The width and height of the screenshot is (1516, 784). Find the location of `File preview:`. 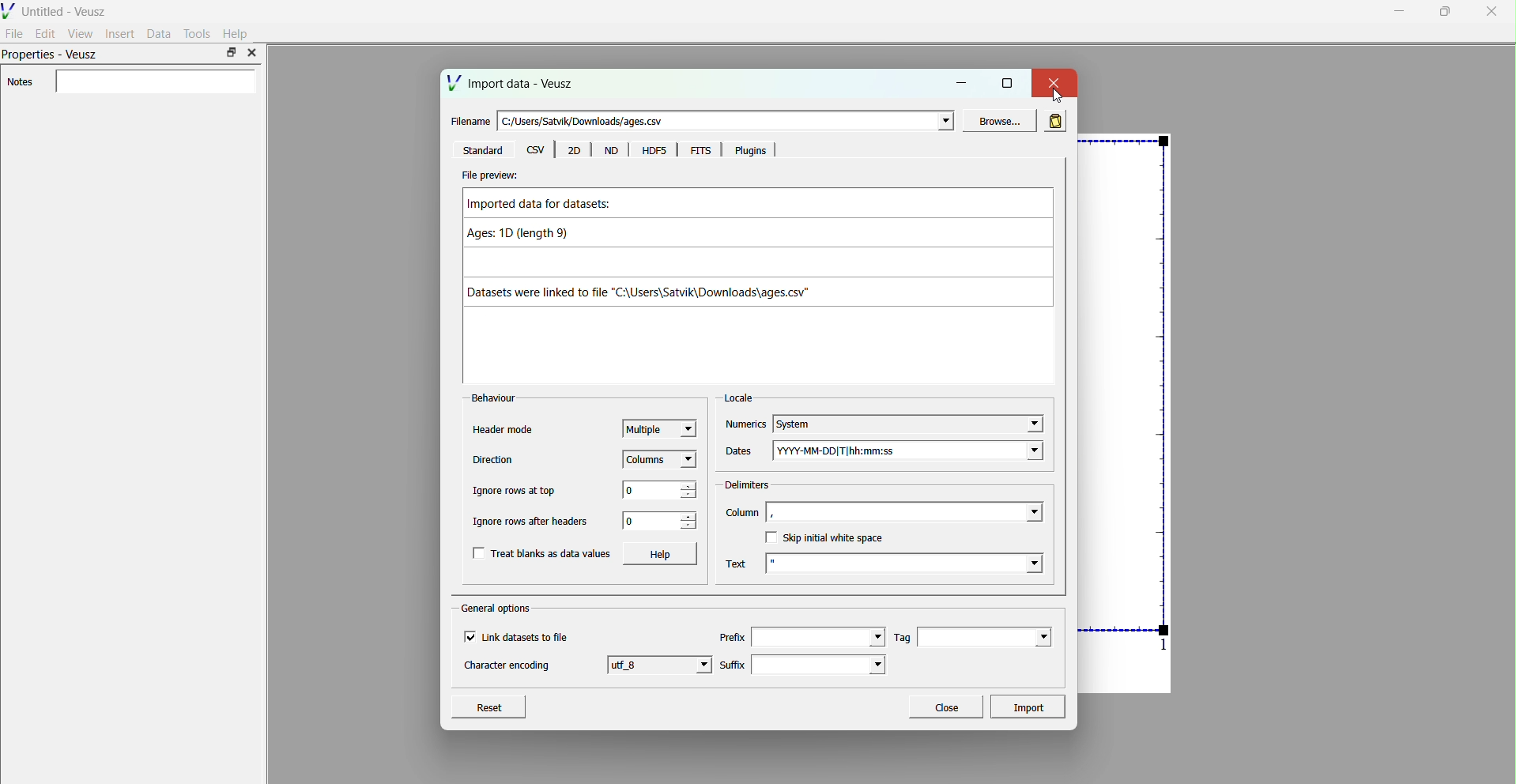

File preview: is located at coordinates (489, 175).